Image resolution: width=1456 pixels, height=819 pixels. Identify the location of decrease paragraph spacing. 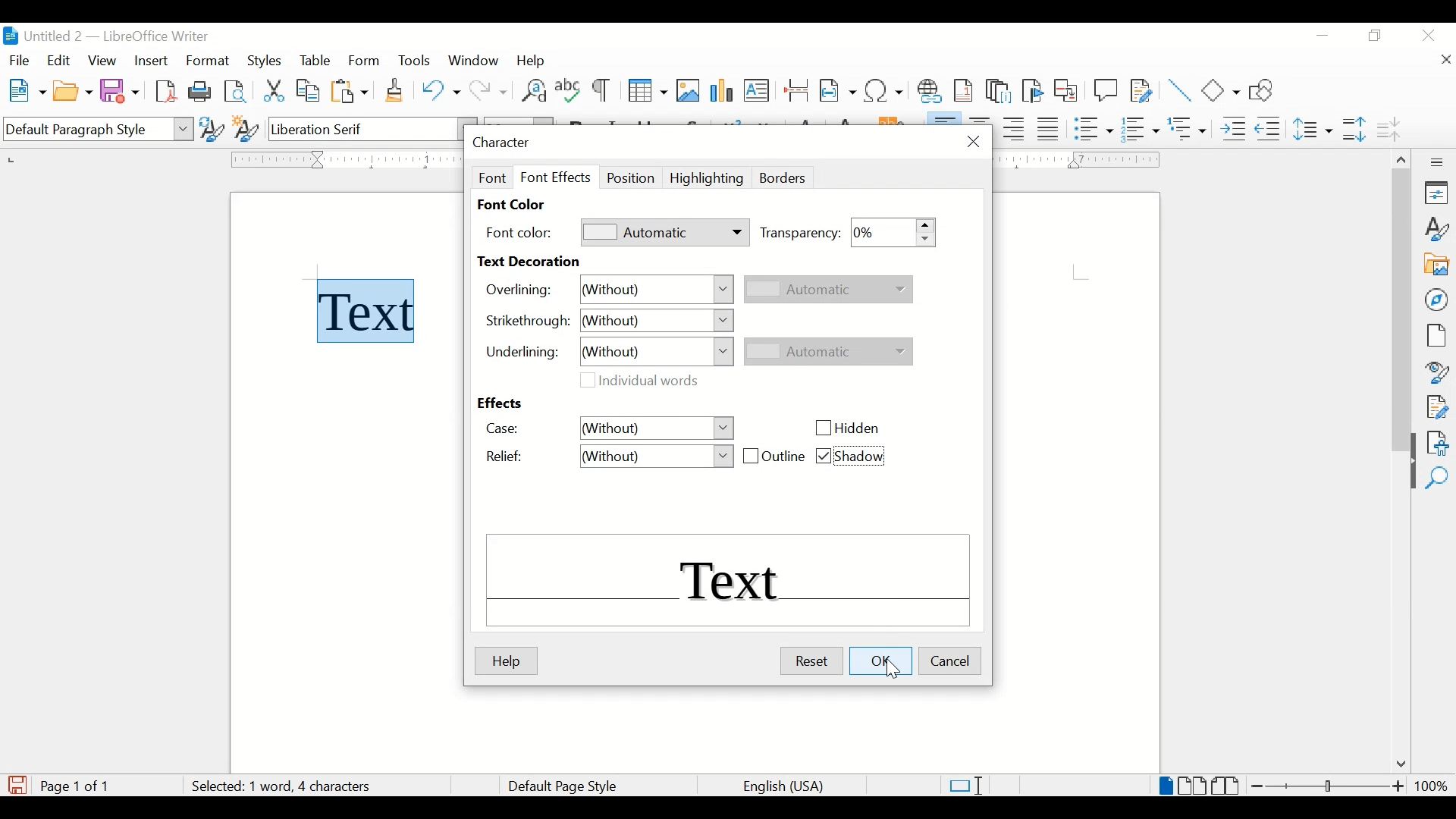
(1388, 128).